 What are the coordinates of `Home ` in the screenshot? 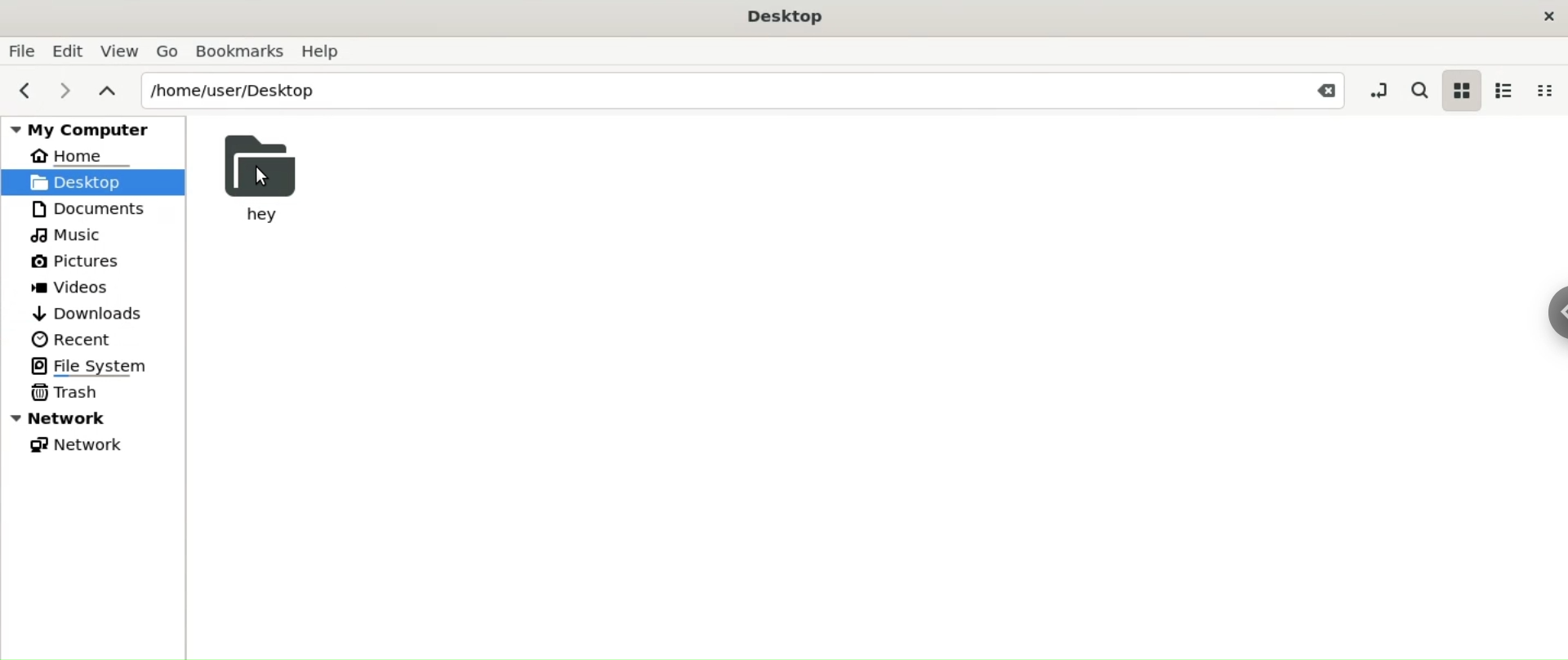 It's located at (71, 156).